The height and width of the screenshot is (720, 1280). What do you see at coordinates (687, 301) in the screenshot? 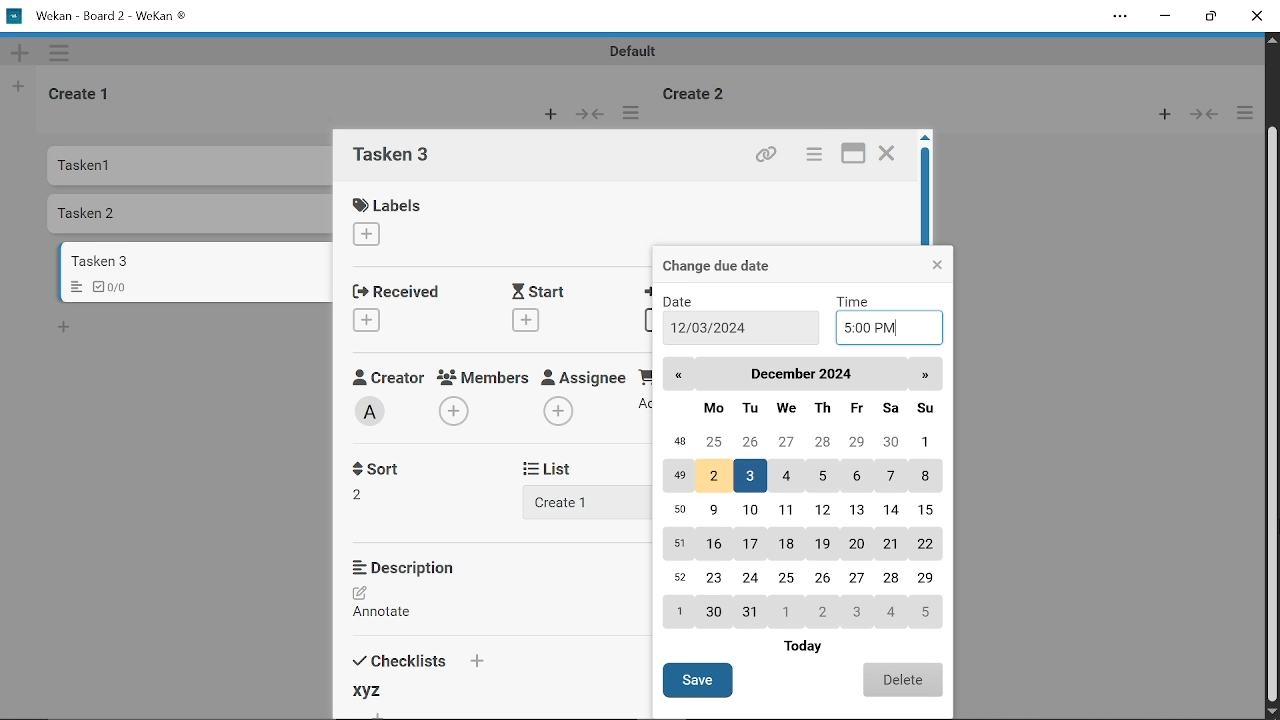
I see `Date` at bounding box center [687, 301].